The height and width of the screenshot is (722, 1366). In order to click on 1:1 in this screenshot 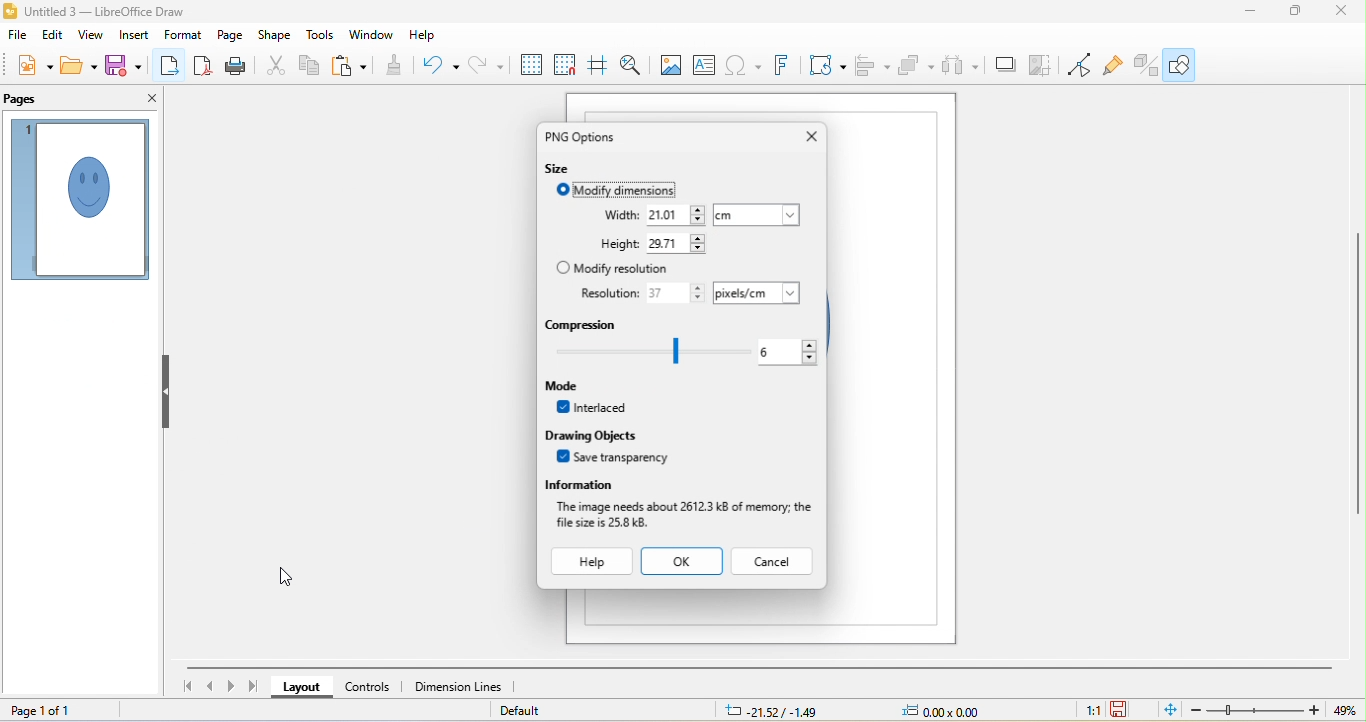, I will do `click(1092, 709)`.